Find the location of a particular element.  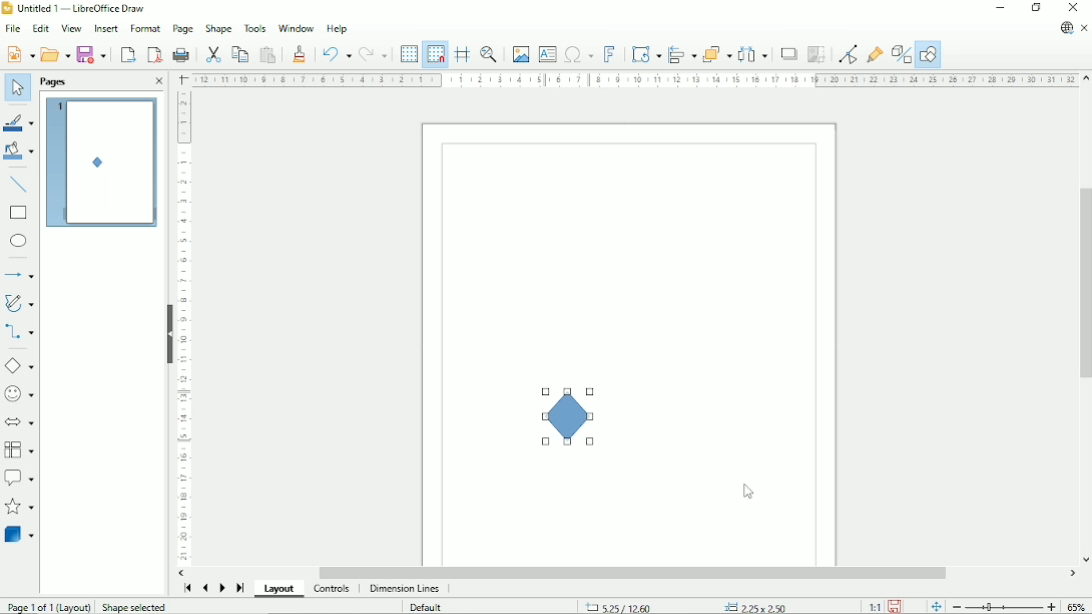

Toggle extrusion is located at coordinates (900, 54).